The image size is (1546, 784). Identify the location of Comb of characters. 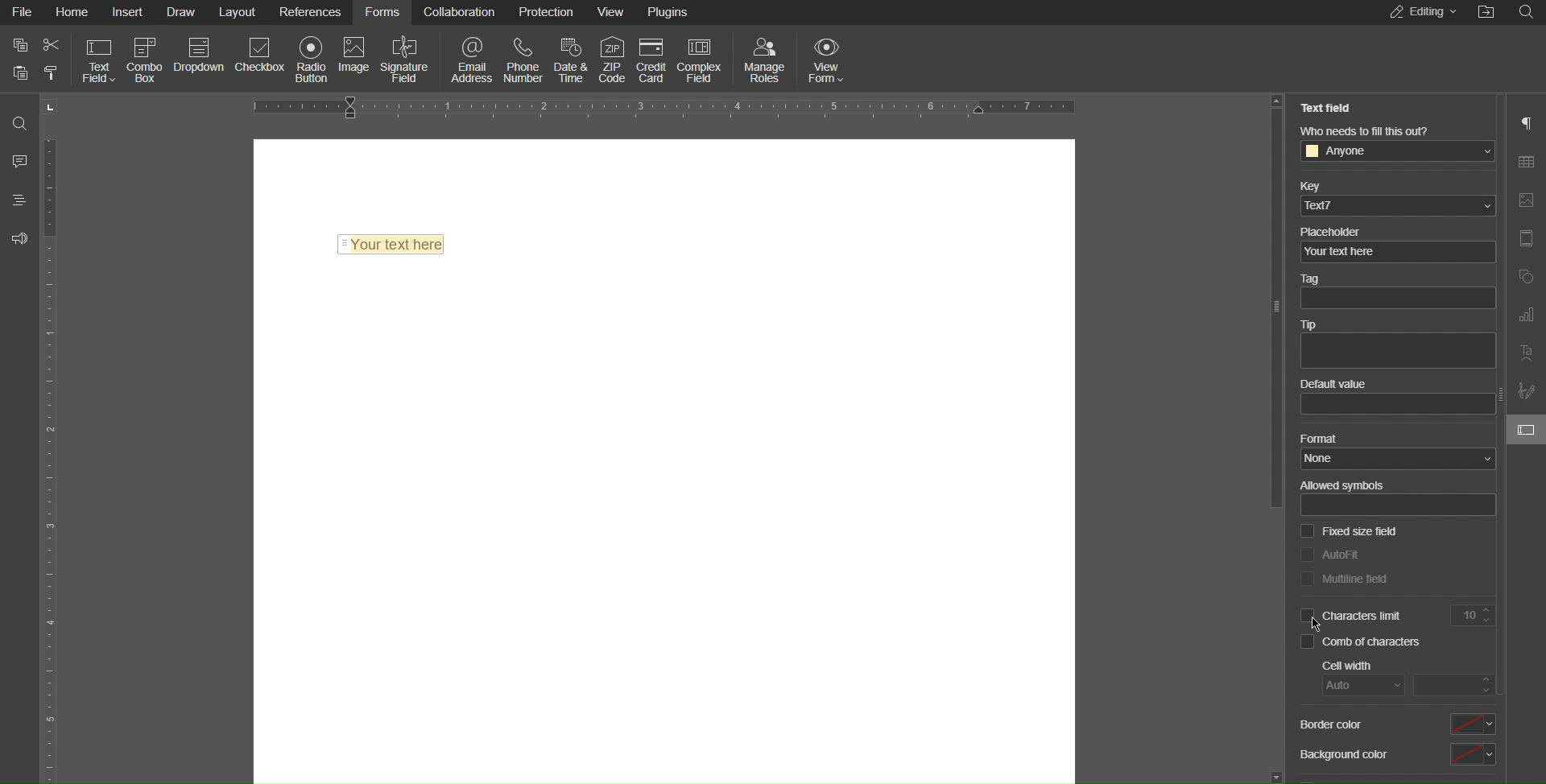
(1365, 644).